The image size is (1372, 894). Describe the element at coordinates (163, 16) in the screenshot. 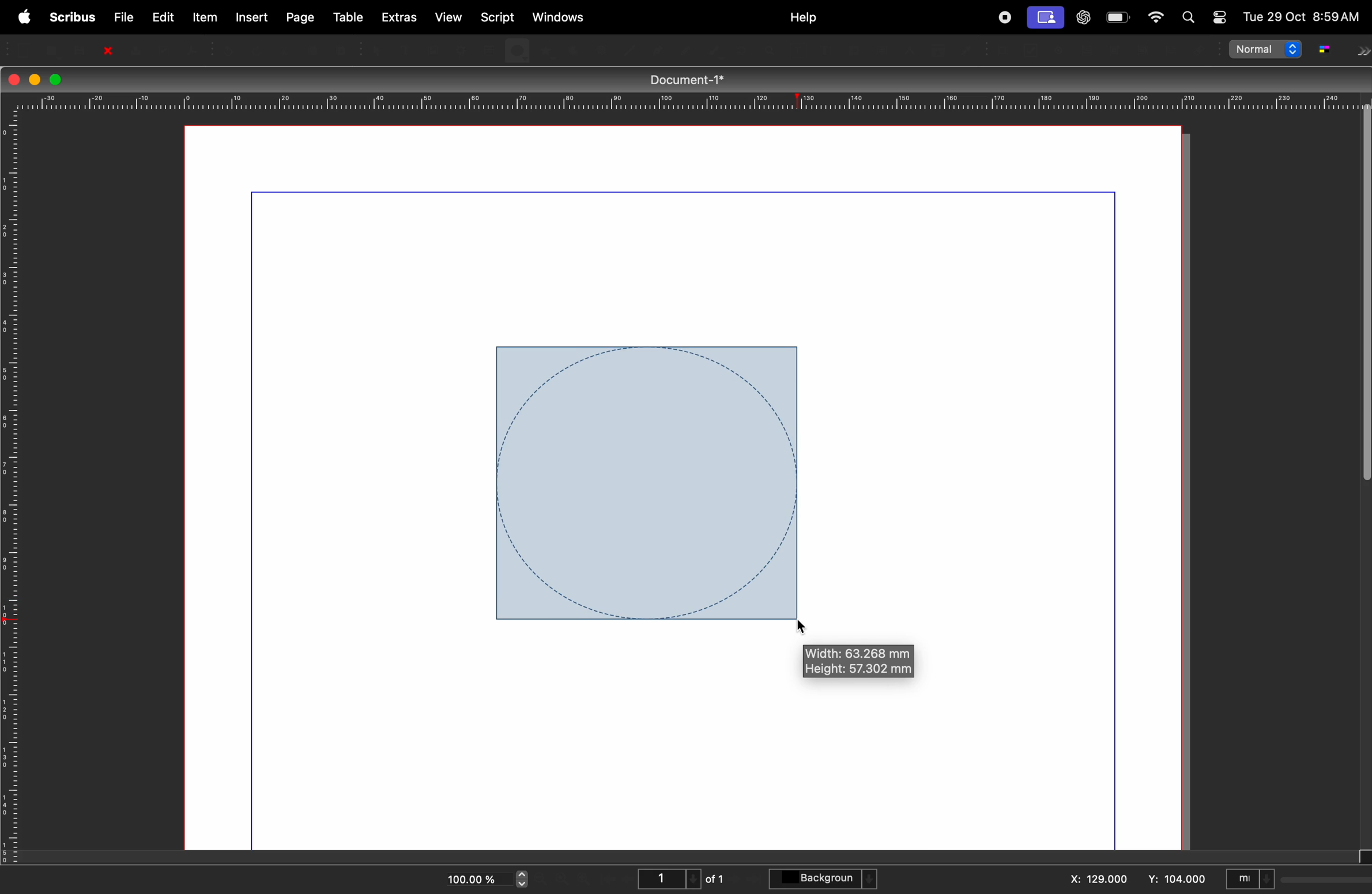

I see `edit` at that location.